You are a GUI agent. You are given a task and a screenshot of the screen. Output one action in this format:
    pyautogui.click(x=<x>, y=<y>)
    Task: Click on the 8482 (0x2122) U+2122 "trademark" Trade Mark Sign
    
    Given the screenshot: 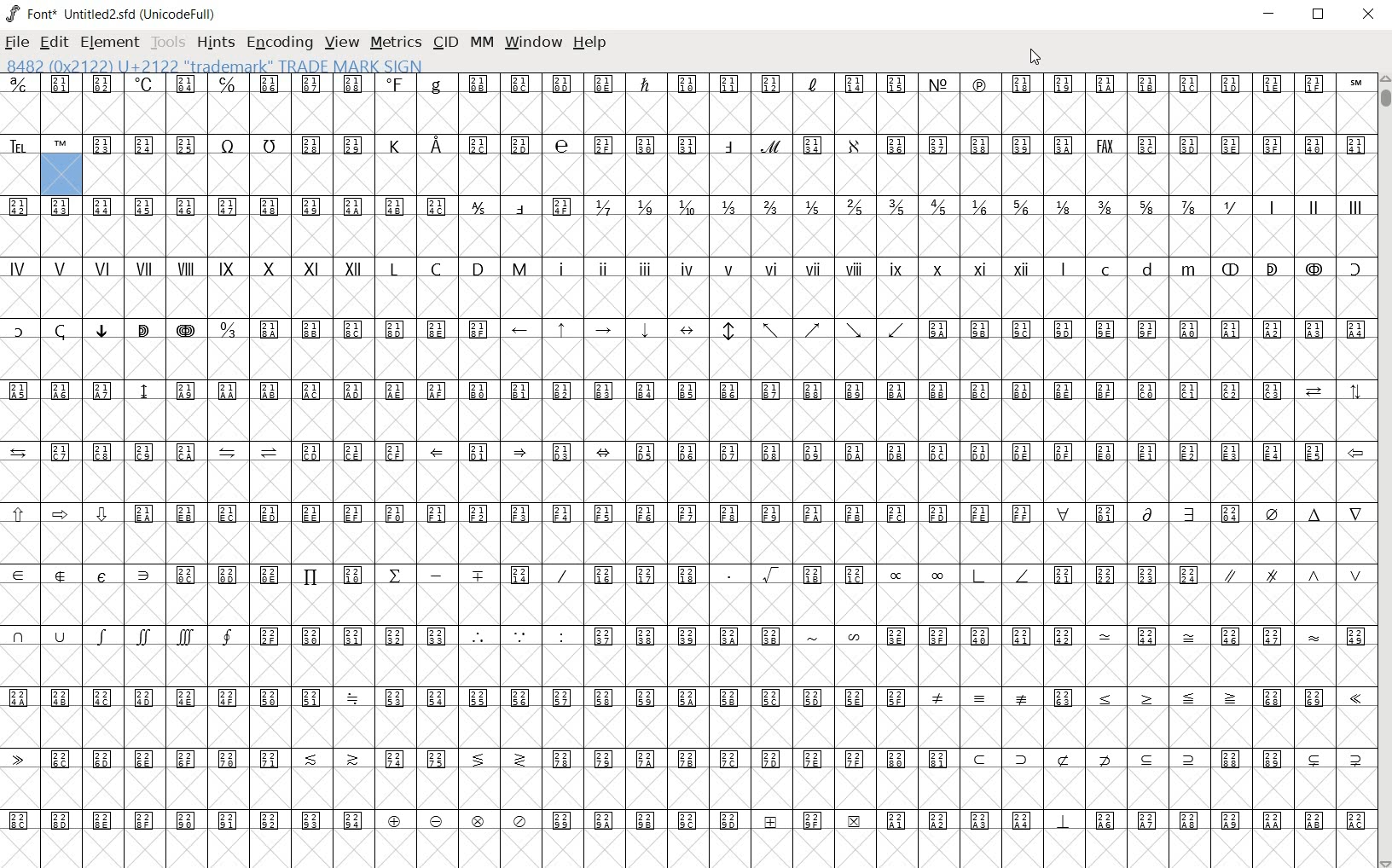 What is the action you would take?
    pyautogui.click(x=212, y=66)
    